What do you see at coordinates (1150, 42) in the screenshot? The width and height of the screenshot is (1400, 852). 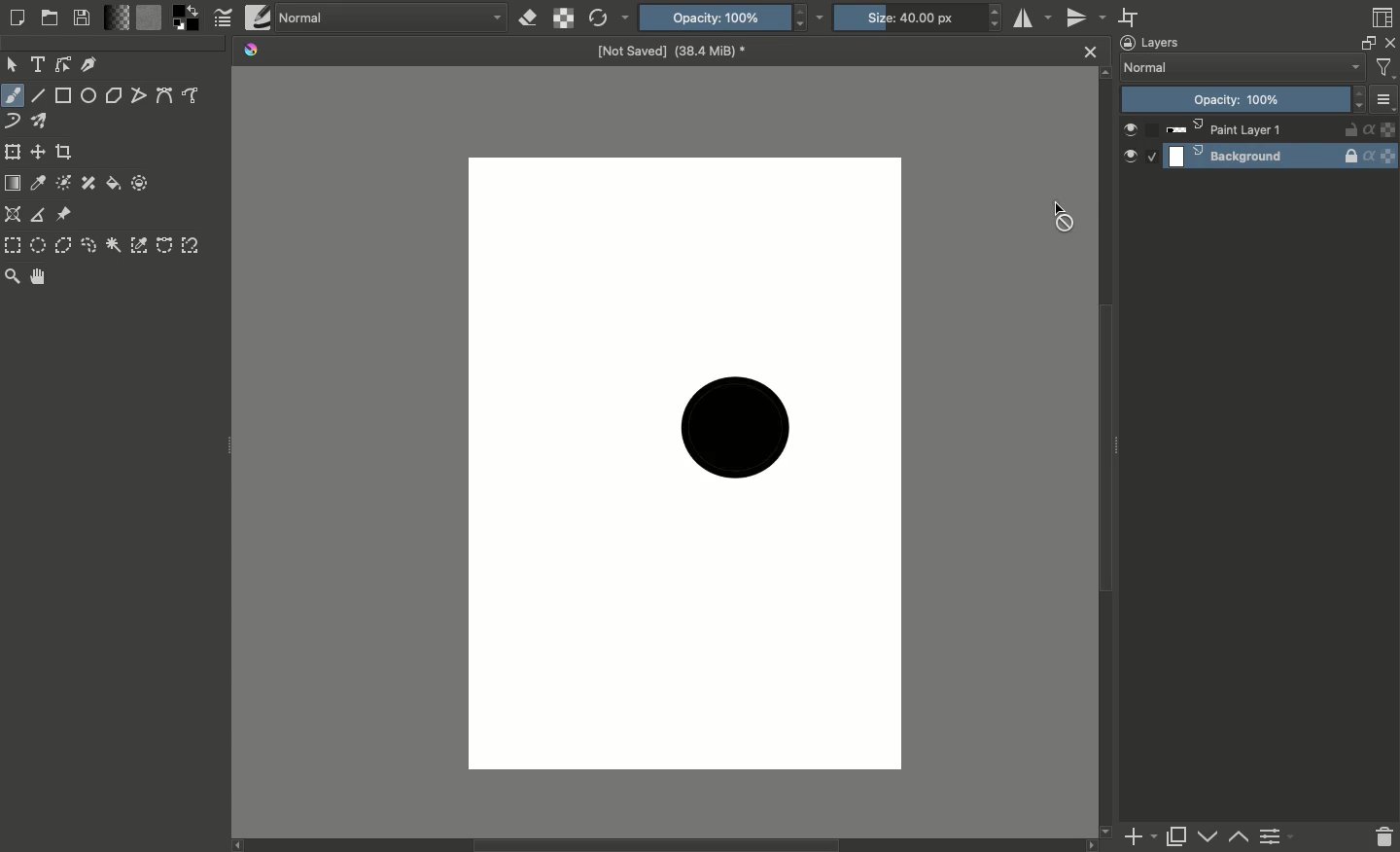 I see `Layers` at bounding box center [1150, 42].